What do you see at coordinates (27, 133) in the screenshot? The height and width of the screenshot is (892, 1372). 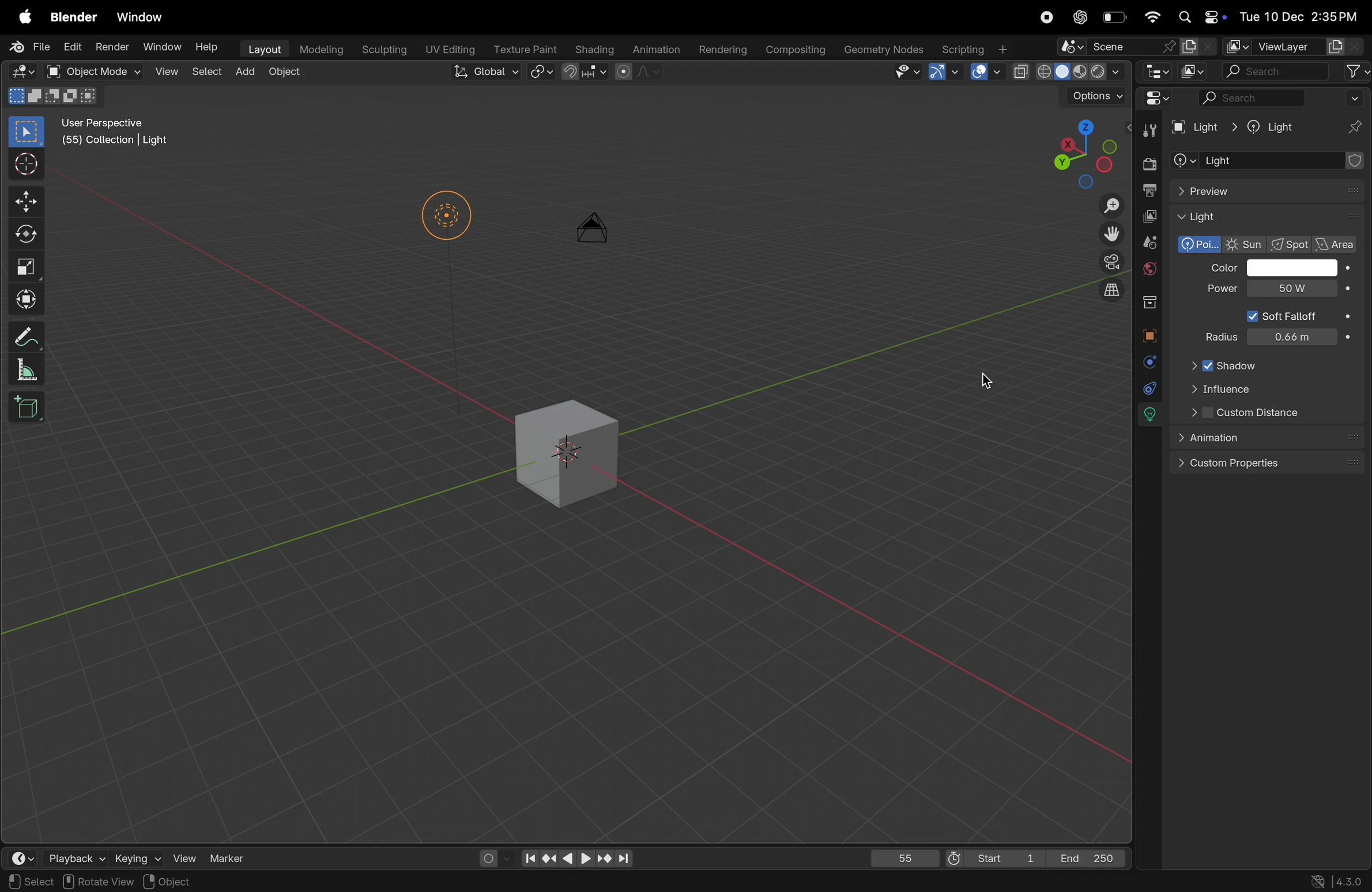 I see `select` at bounding box center [27, 133].